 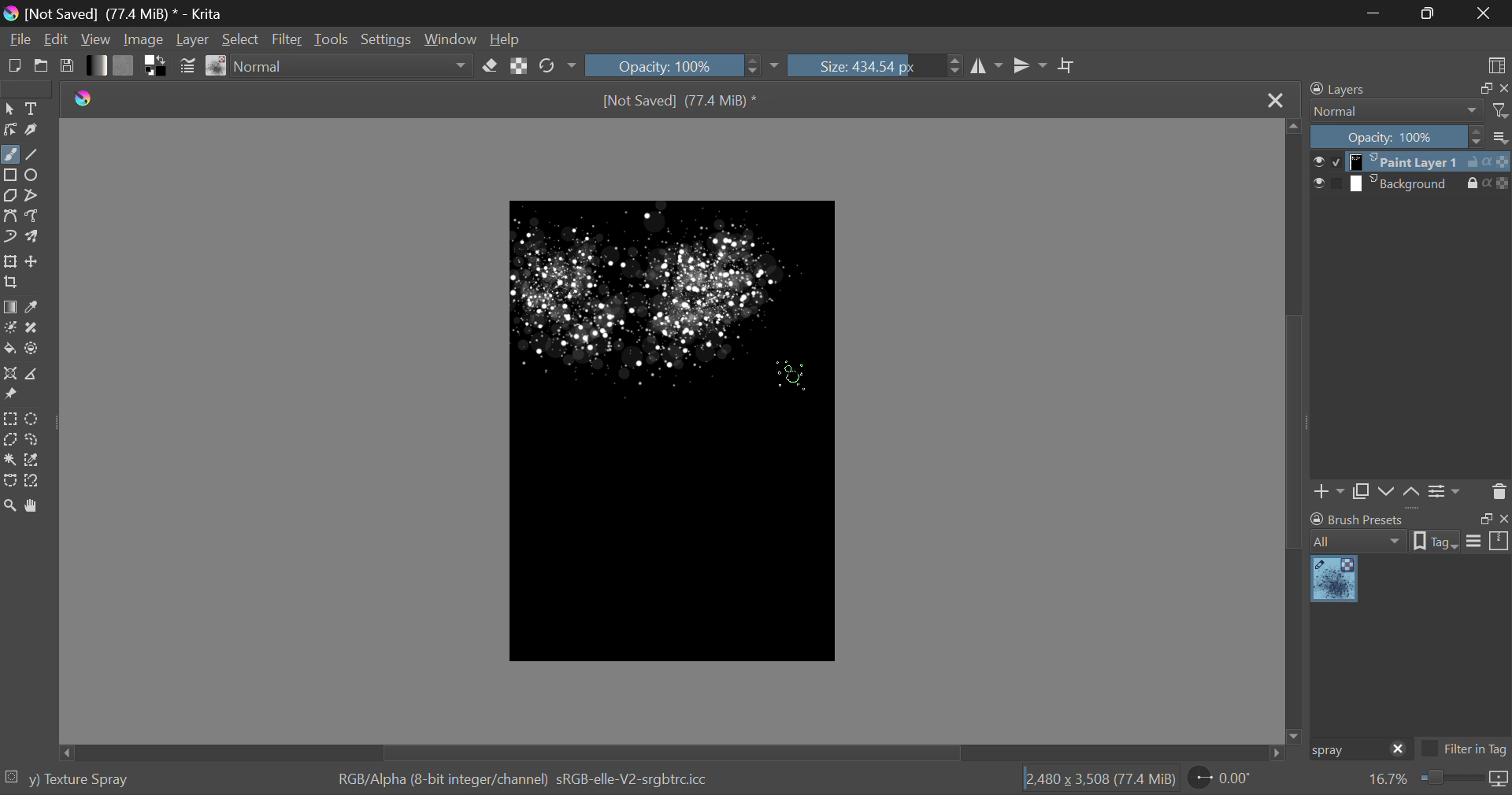 What do you see at coordinates (1360, 542) in the screenshot?
I see `all` at bounding box center [1360, 542].